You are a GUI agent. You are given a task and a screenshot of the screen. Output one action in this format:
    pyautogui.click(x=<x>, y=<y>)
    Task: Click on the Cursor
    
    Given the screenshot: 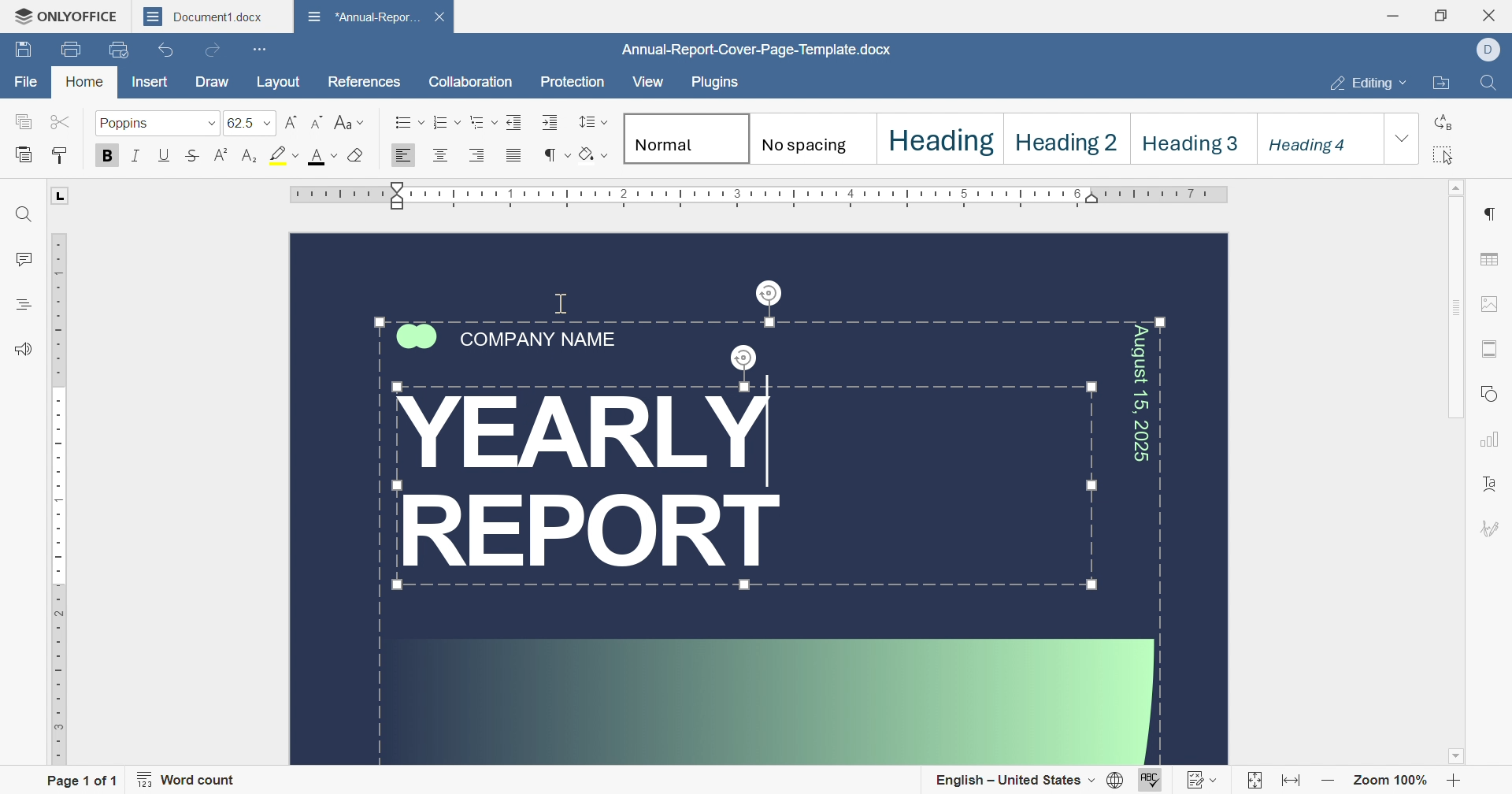 What is the action you would take?
    pyautogui.click(x=532, y=434)
    